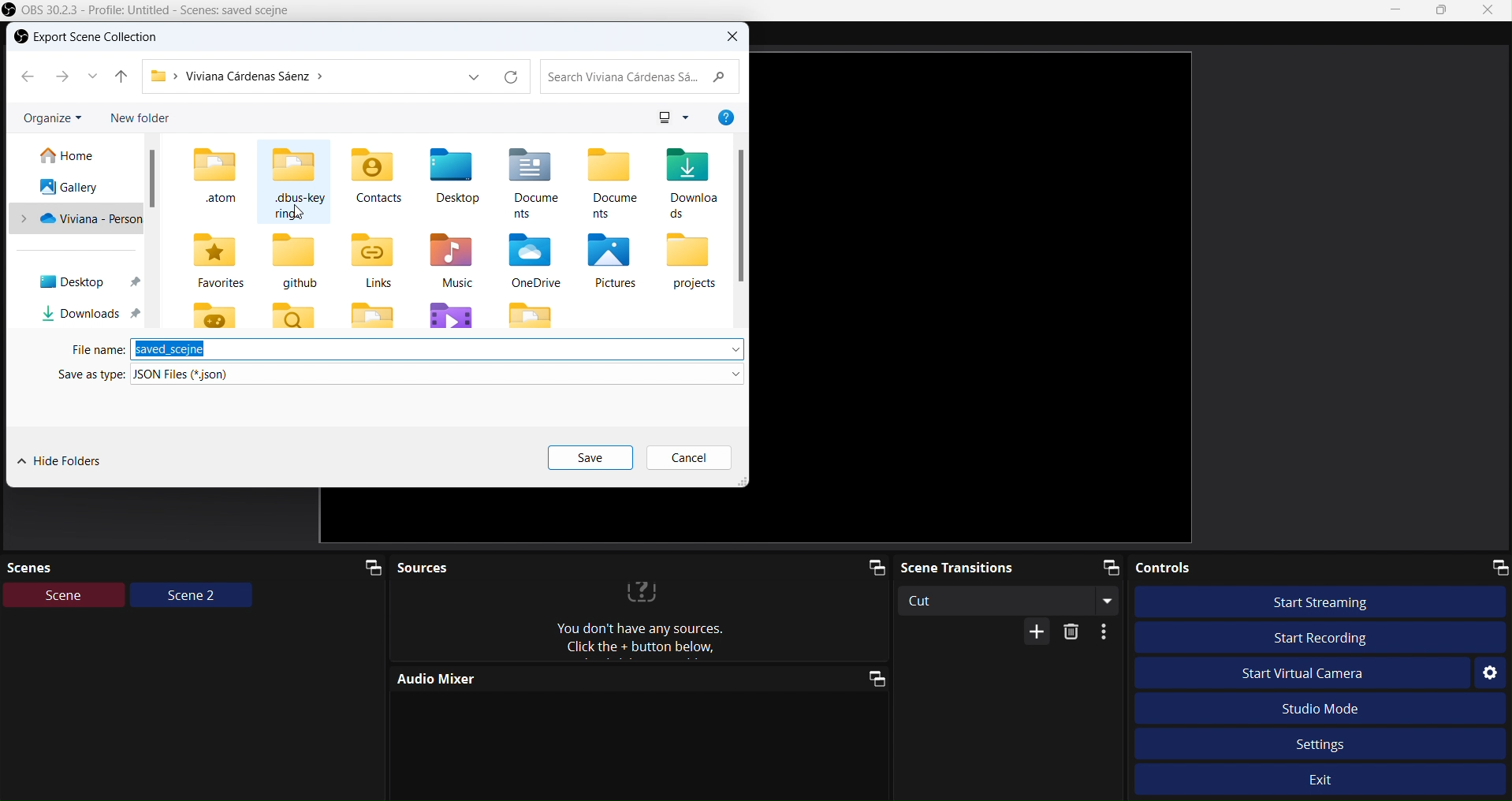 This screenshot has height=801, width=1512. Describe the element at coordinates (591, 458) in the screenshot. I see `Save` at that location.